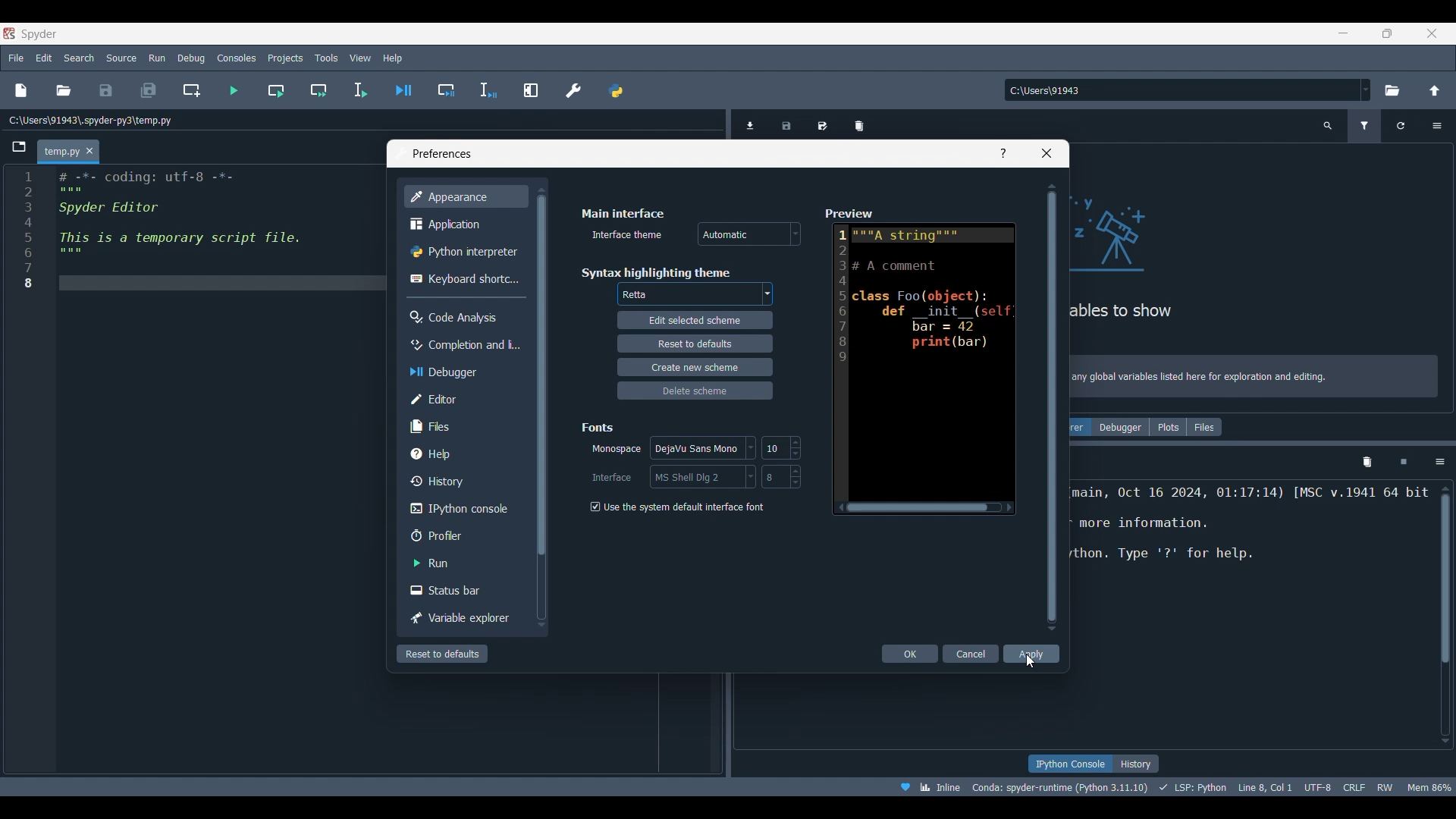 This screenshot has width=1456, height=819. I want to click on Toggle for system default interface font, so click(676, 507).